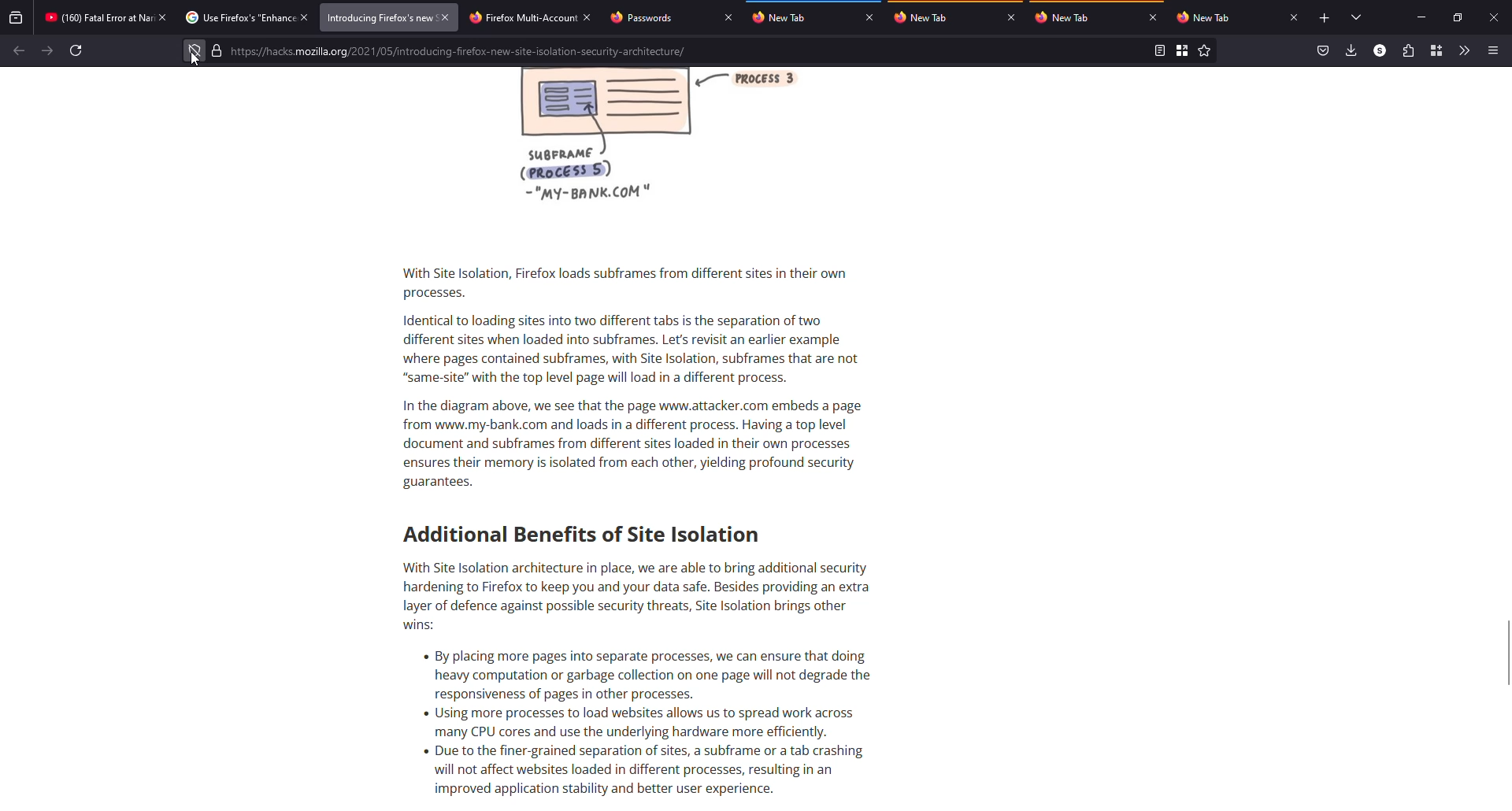 This screenshot has height=811, width=1512. I want to click on close, so click(163, 17).